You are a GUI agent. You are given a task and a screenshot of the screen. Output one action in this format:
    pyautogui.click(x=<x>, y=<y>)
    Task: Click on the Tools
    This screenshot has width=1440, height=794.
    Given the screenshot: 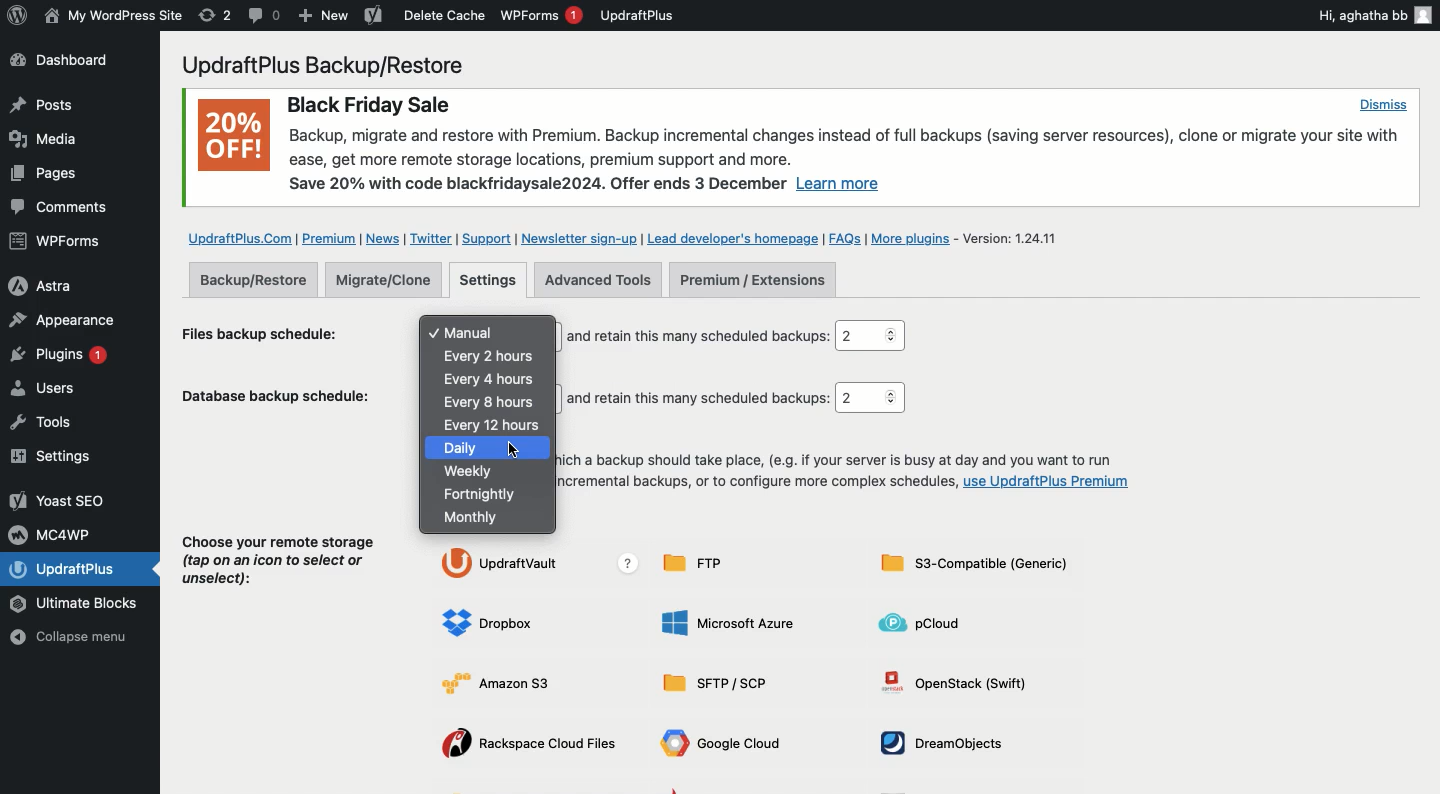 What is the action you would take?
    pyautogui.click(x=54, y=422)
    